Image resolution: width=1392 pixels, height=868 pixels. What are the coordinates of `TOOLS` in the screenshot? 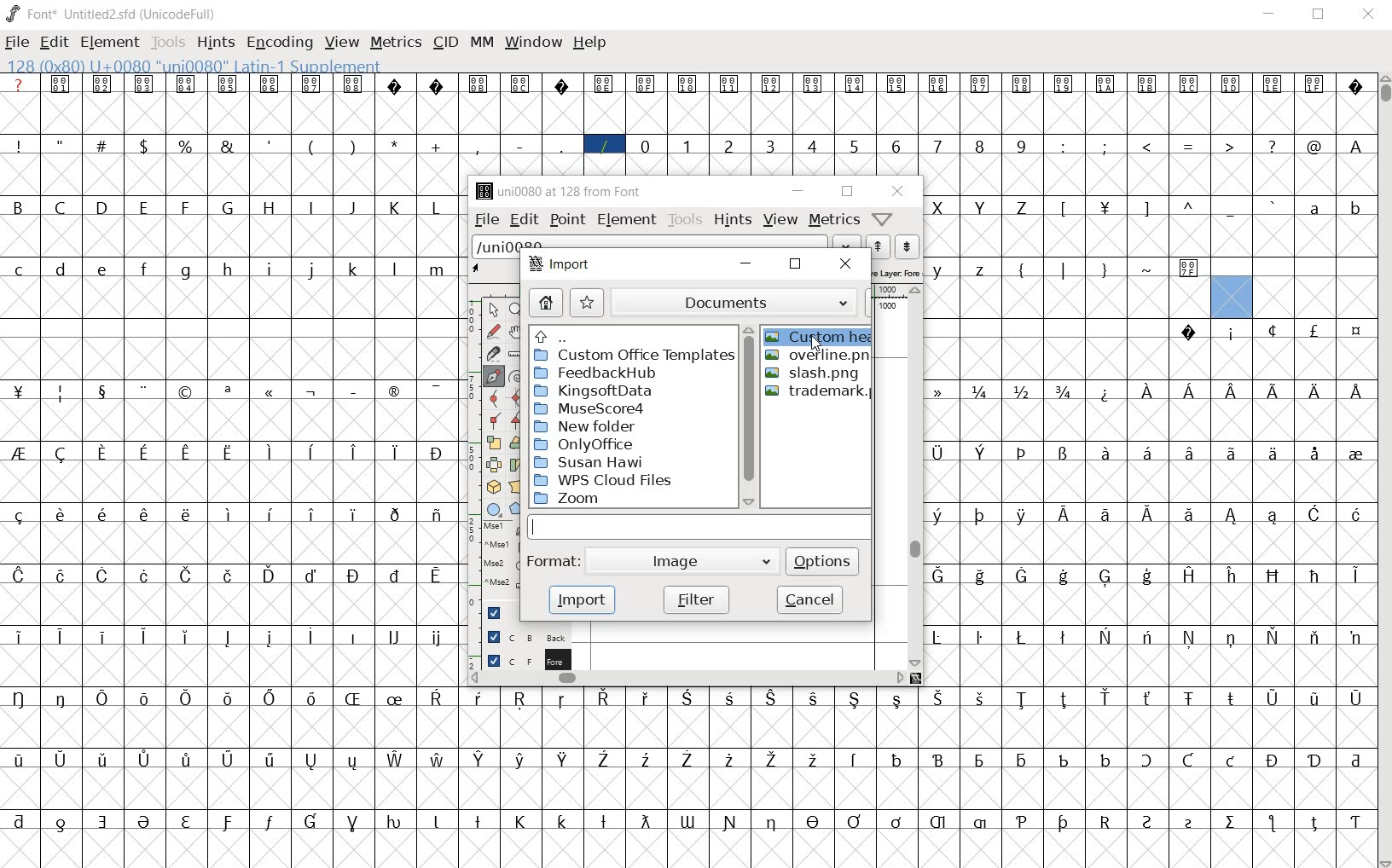 It's located at (168, 43).